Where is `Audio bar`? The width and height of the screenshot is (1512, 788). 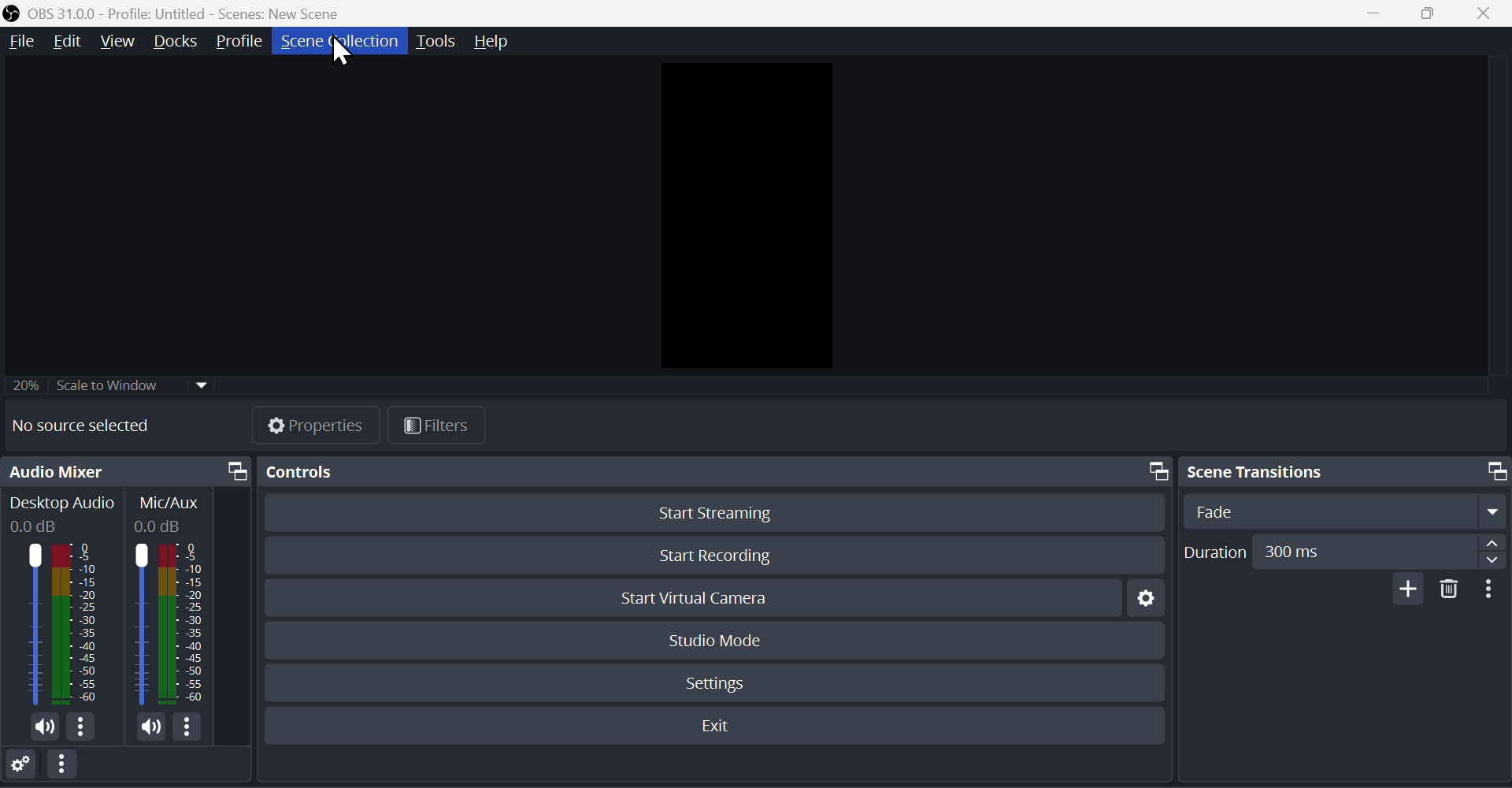
Audio bar is located at coordinates (57, 623).